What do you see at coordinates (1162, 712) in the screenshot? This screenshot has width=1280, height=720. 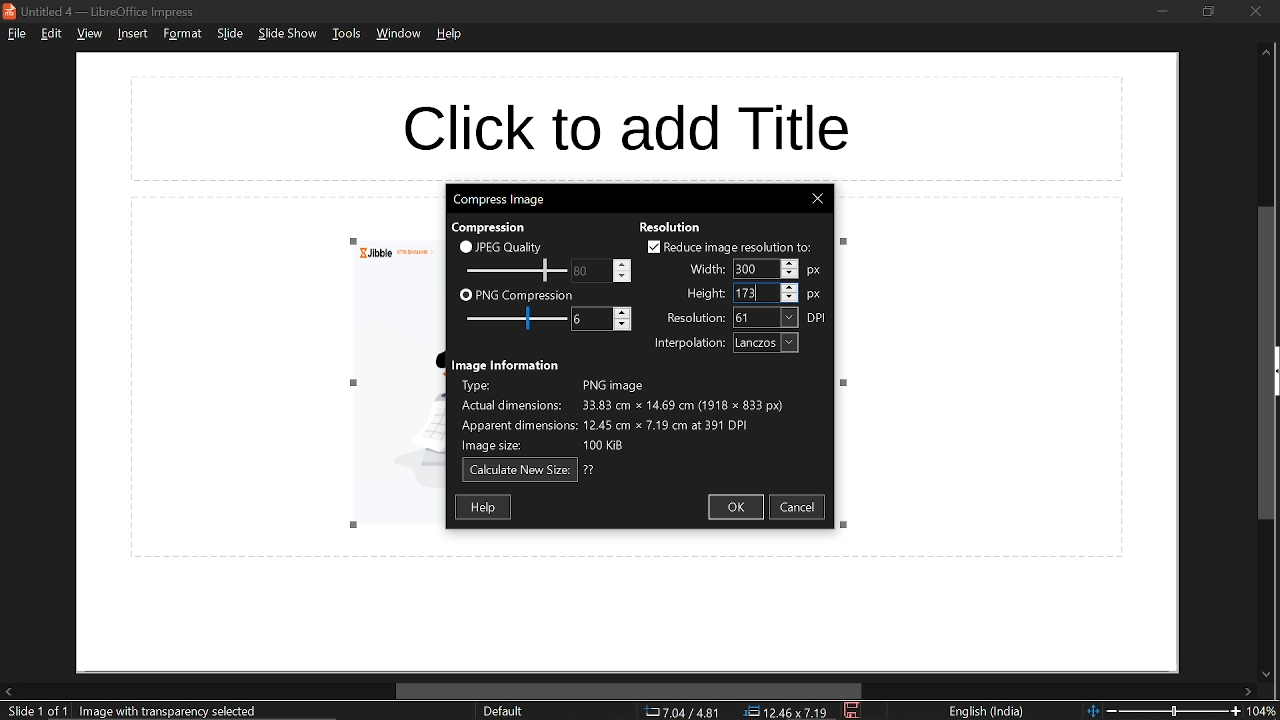 I see `change zoom` at bounding box center [1162, 712].